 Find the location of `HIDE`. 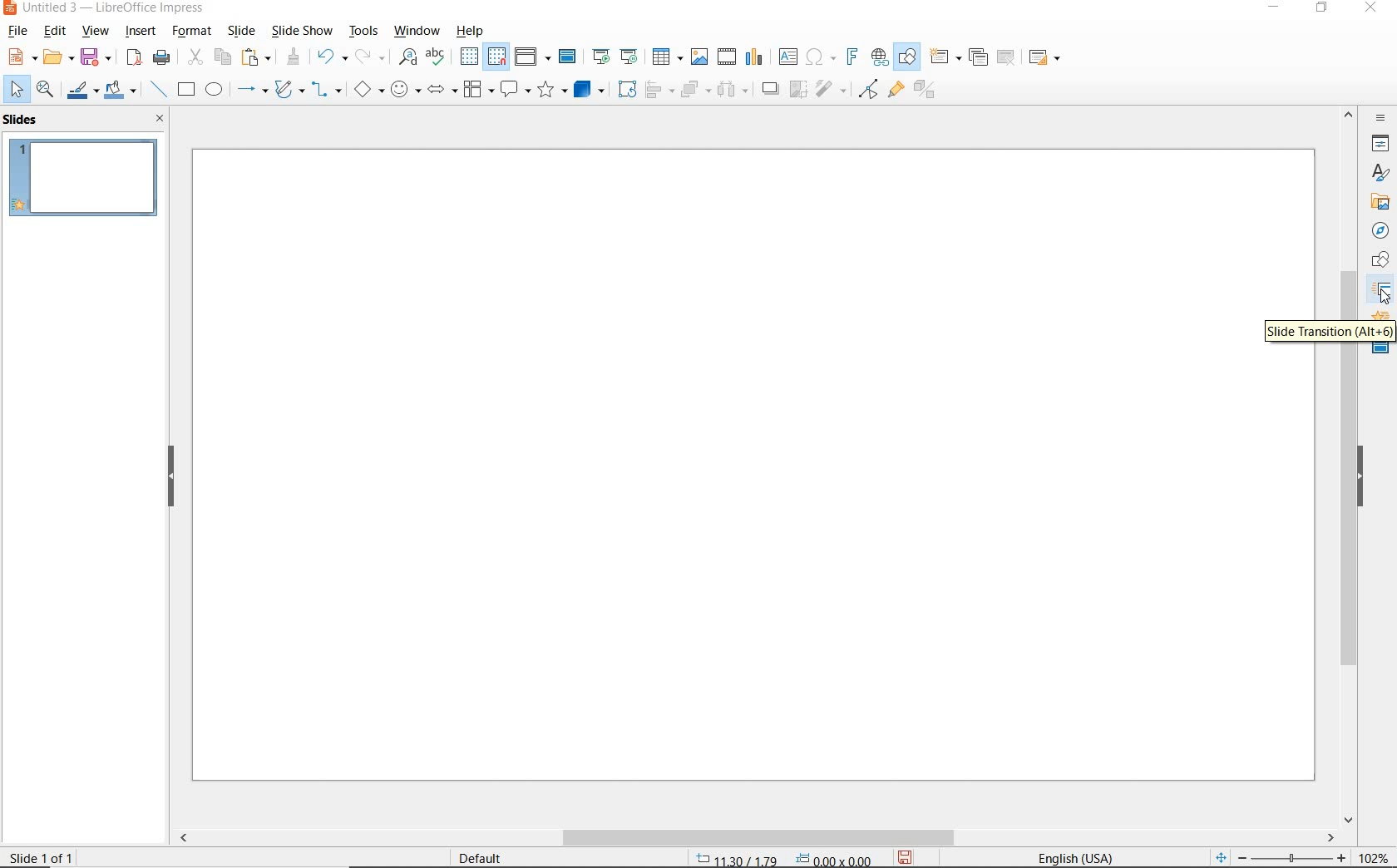

HIDE is located at coordinates (1360, 480).